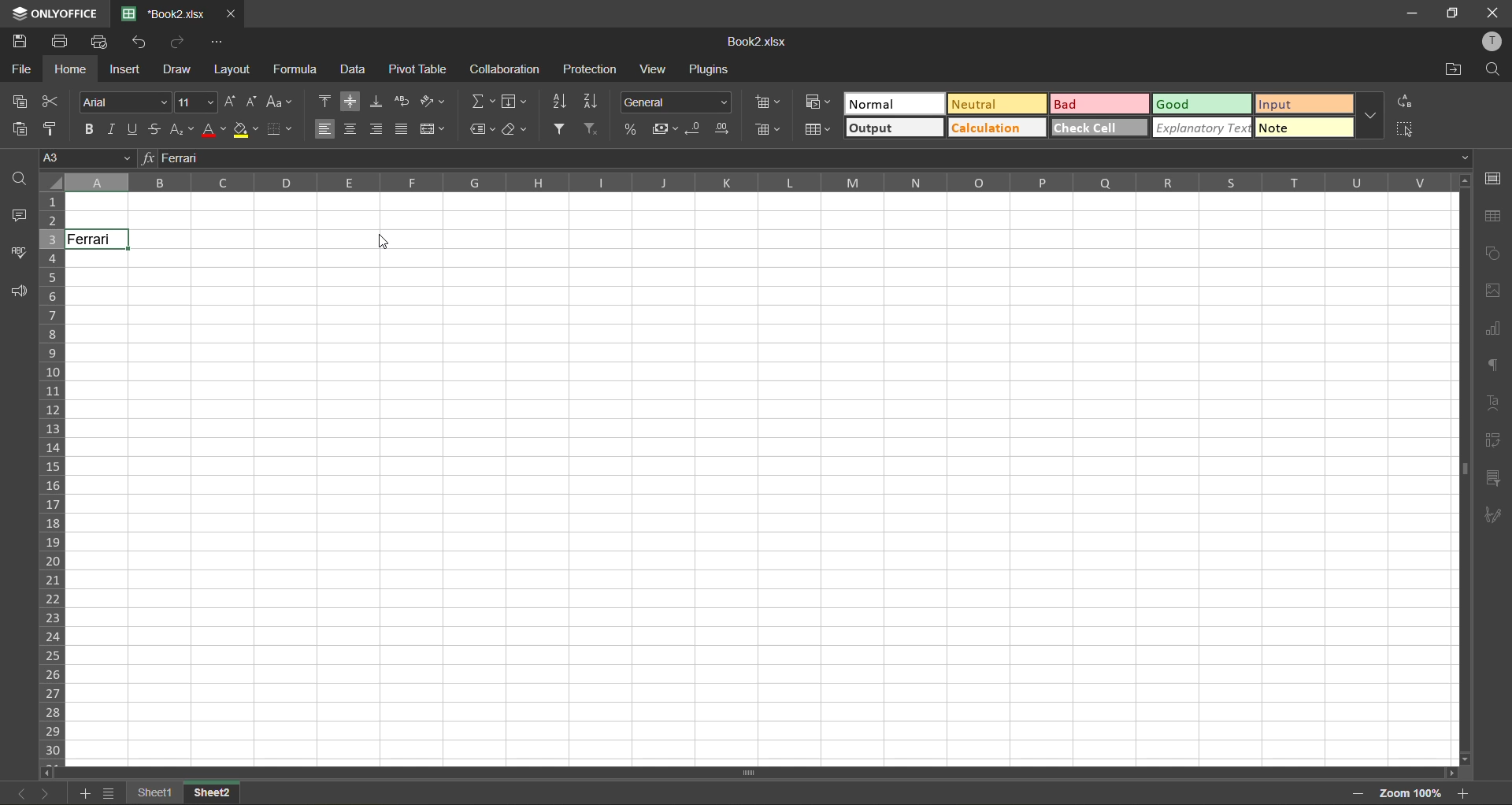  What do you see at coordinates (54, 102) in the screenshot?
I see `cut` at bounding box center [54, 102].